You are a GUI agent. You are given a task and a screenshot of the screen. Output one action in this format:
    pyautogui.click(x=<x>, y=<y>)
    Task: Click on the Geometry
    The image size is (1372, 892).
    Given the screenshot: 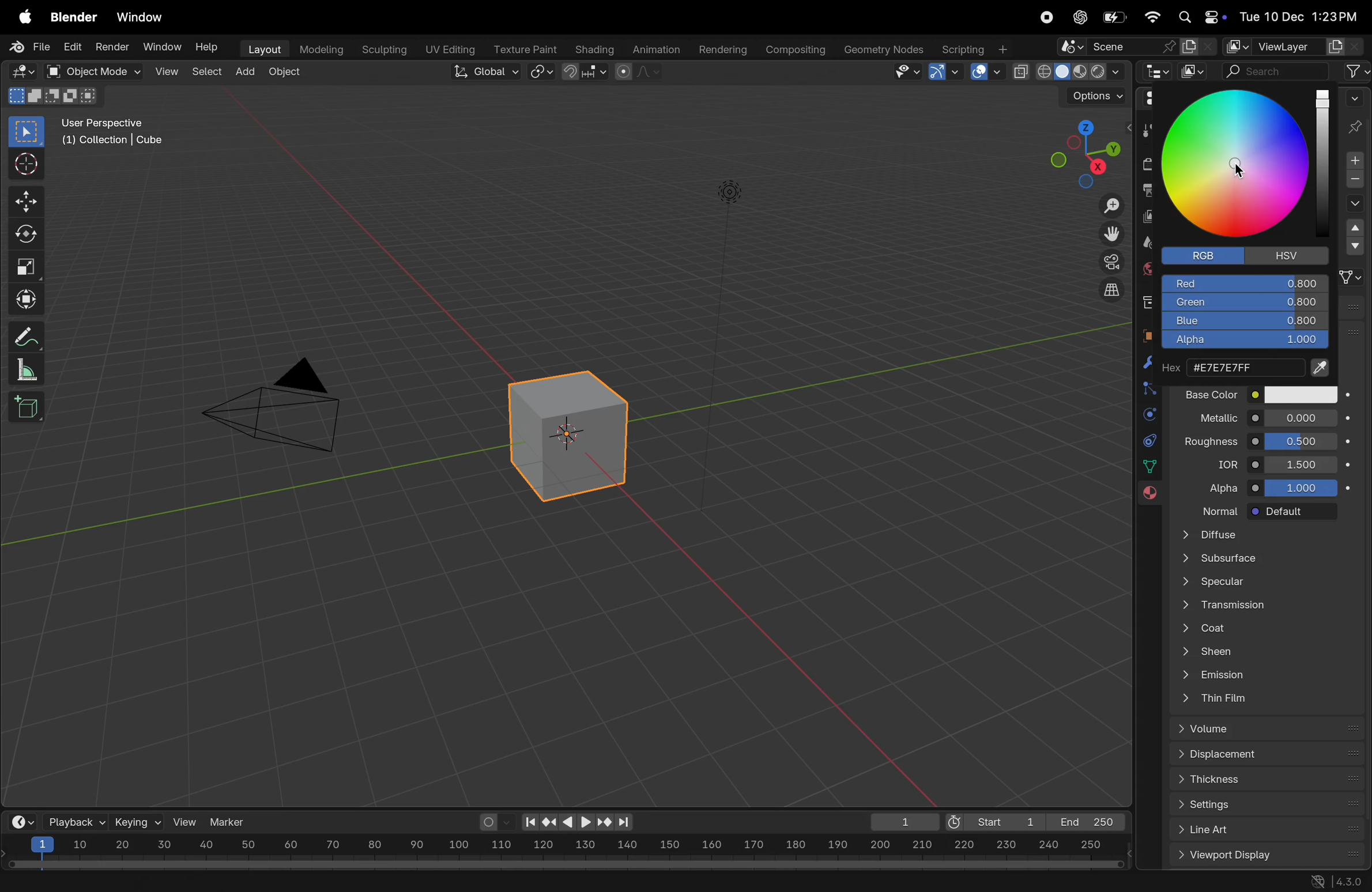 What is the action you would take?
    pyautogui.click(x=885, y=50)
    